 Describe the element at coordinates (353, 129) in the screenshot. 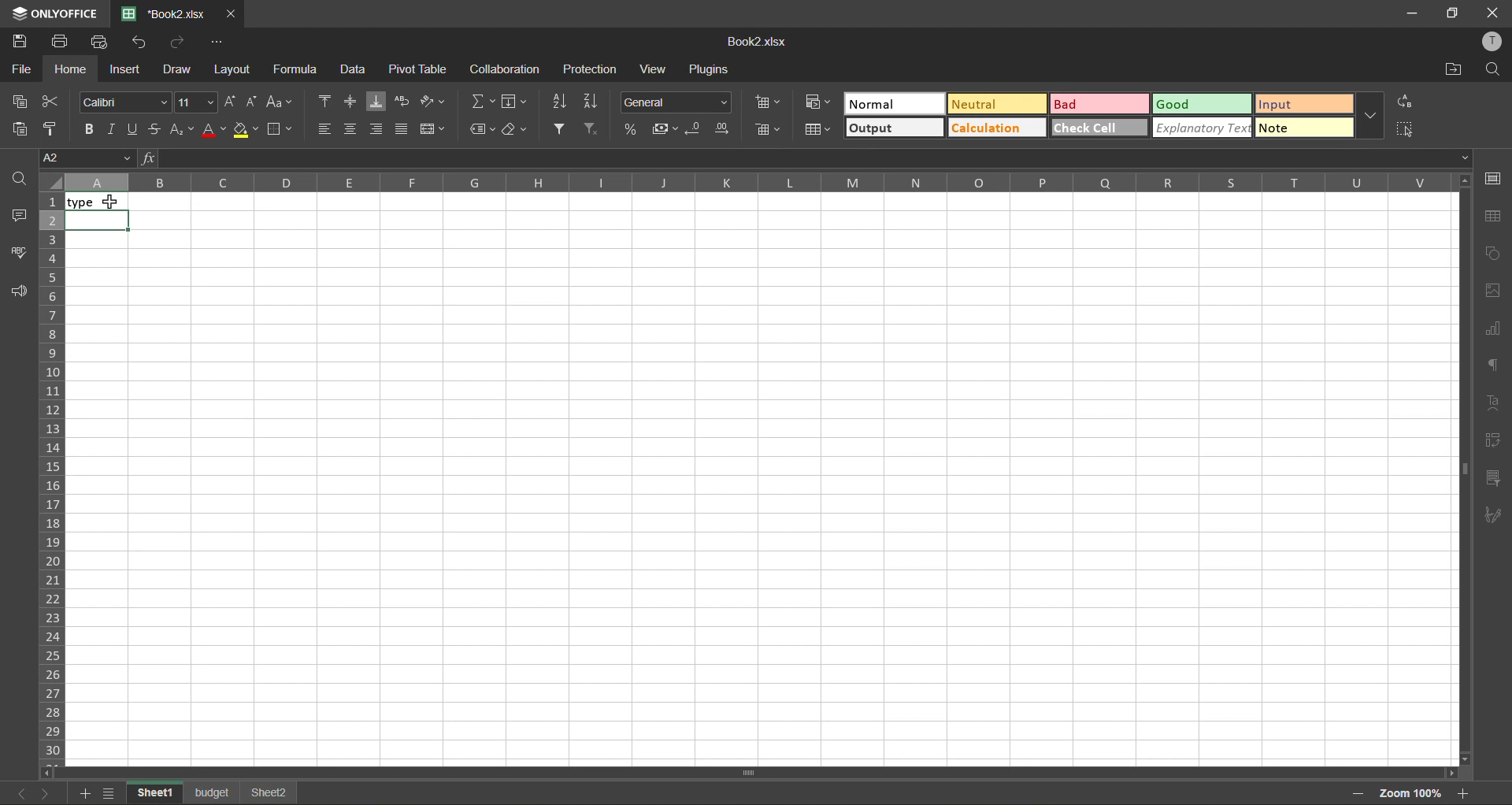

I see `align center` at that location.